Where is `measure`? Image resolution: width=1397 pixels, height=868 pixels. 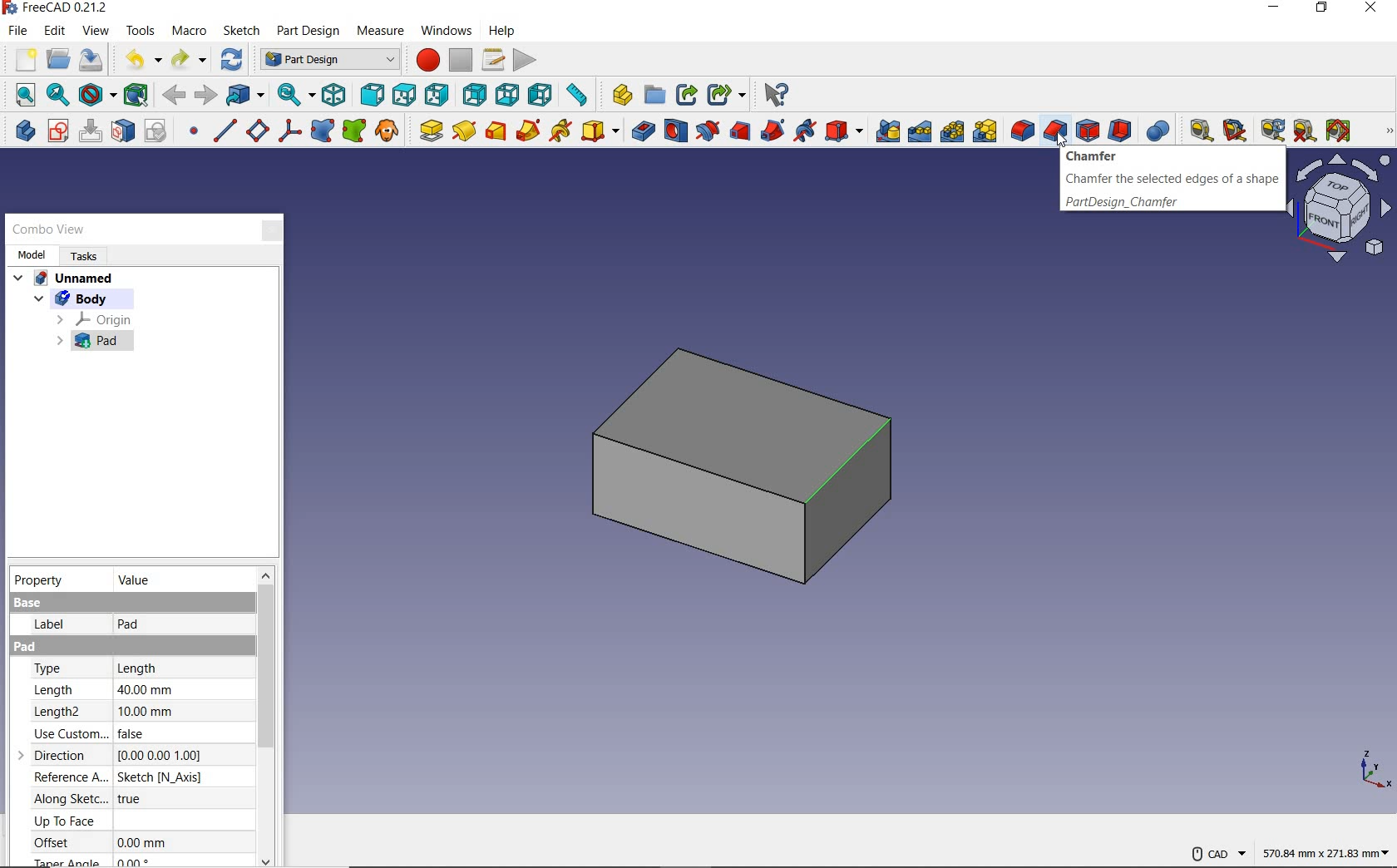 measure is located at coordinates (378, 31).